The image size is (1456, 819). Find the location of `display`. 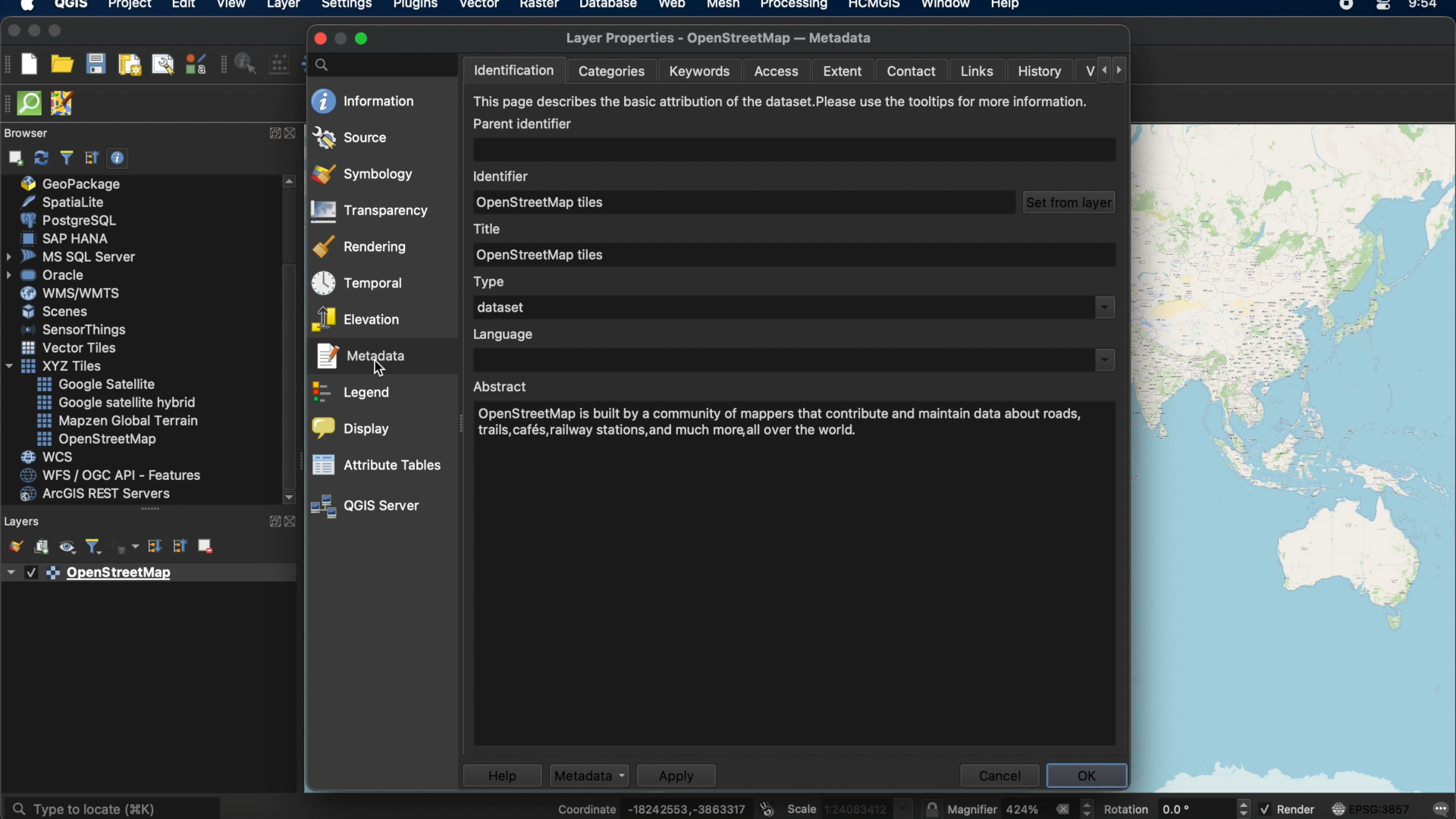

display is located at coordinates (352, 429).